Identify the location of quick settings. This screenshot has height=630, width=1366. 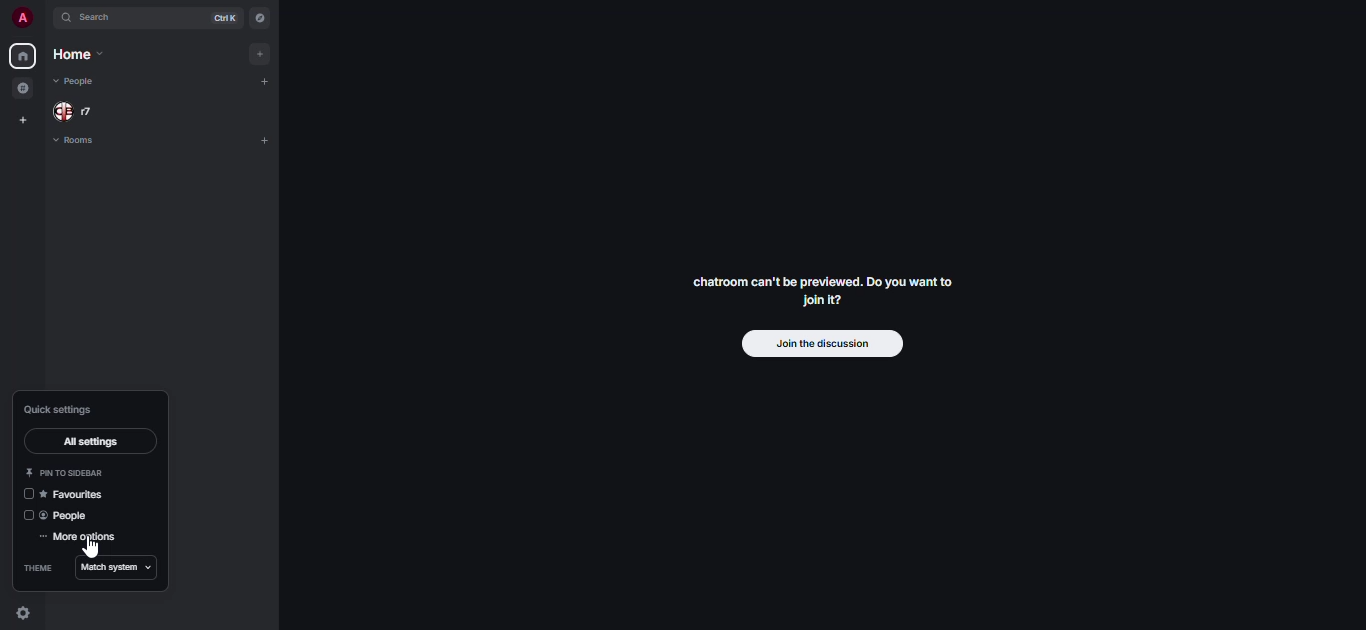
(59, 408).